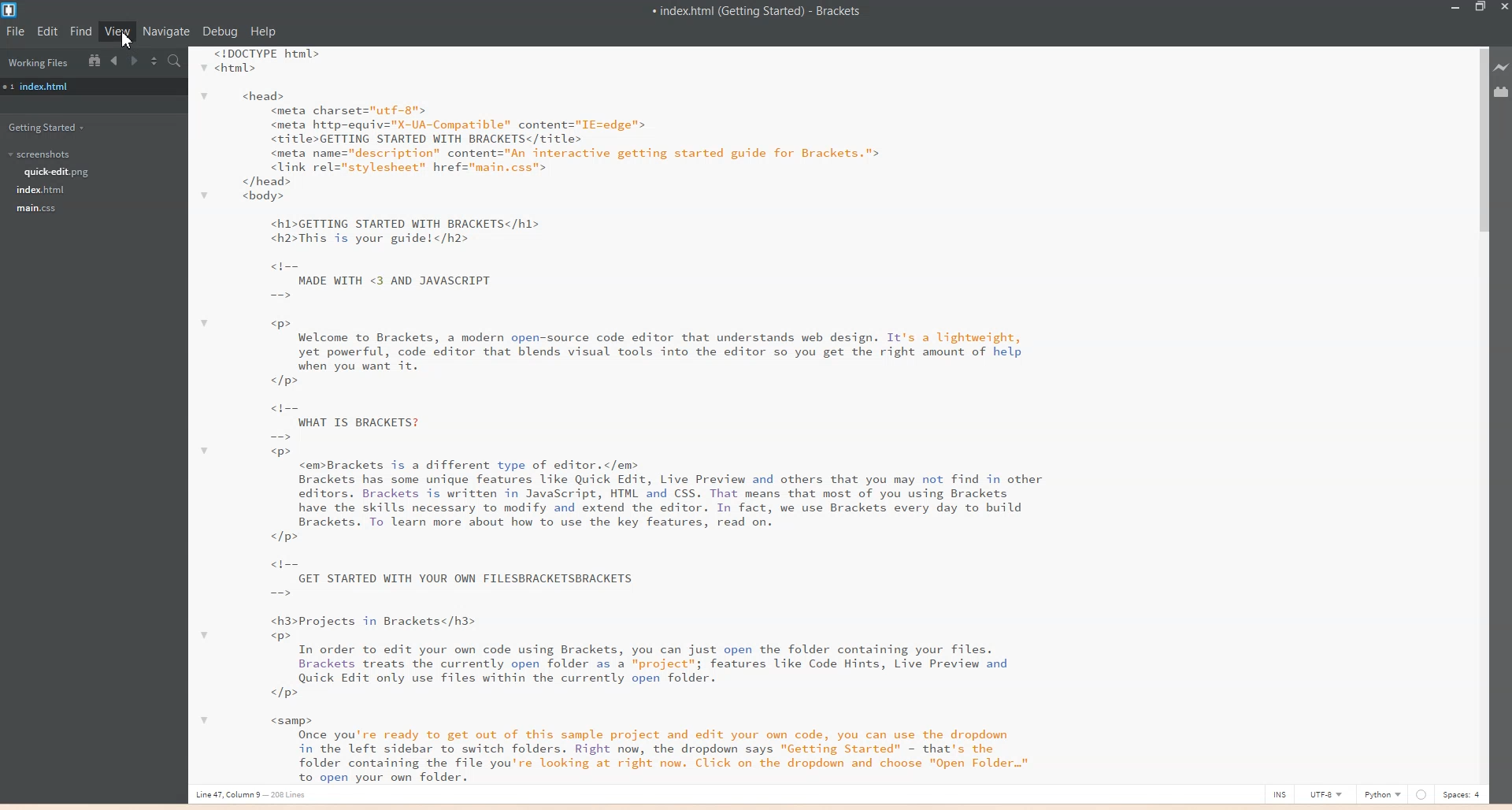  What do you see at coordinates (42, 190) in the screenshot?
I see `index.html` at bounding box center [42, 190].